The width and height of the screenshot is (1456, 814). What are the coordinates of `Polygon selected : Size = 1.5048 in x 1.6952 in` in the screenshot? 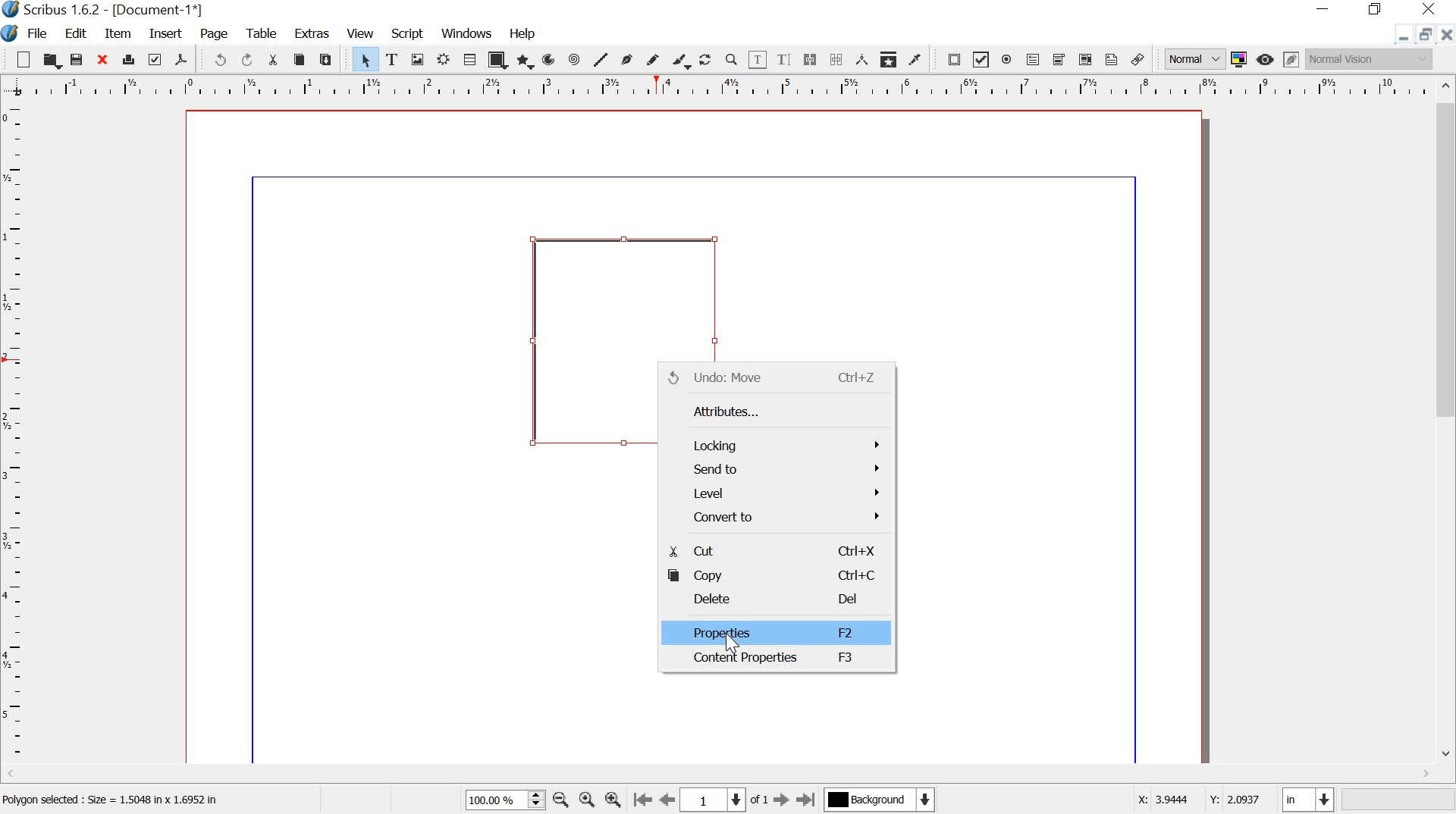 It's located at (115, 803).